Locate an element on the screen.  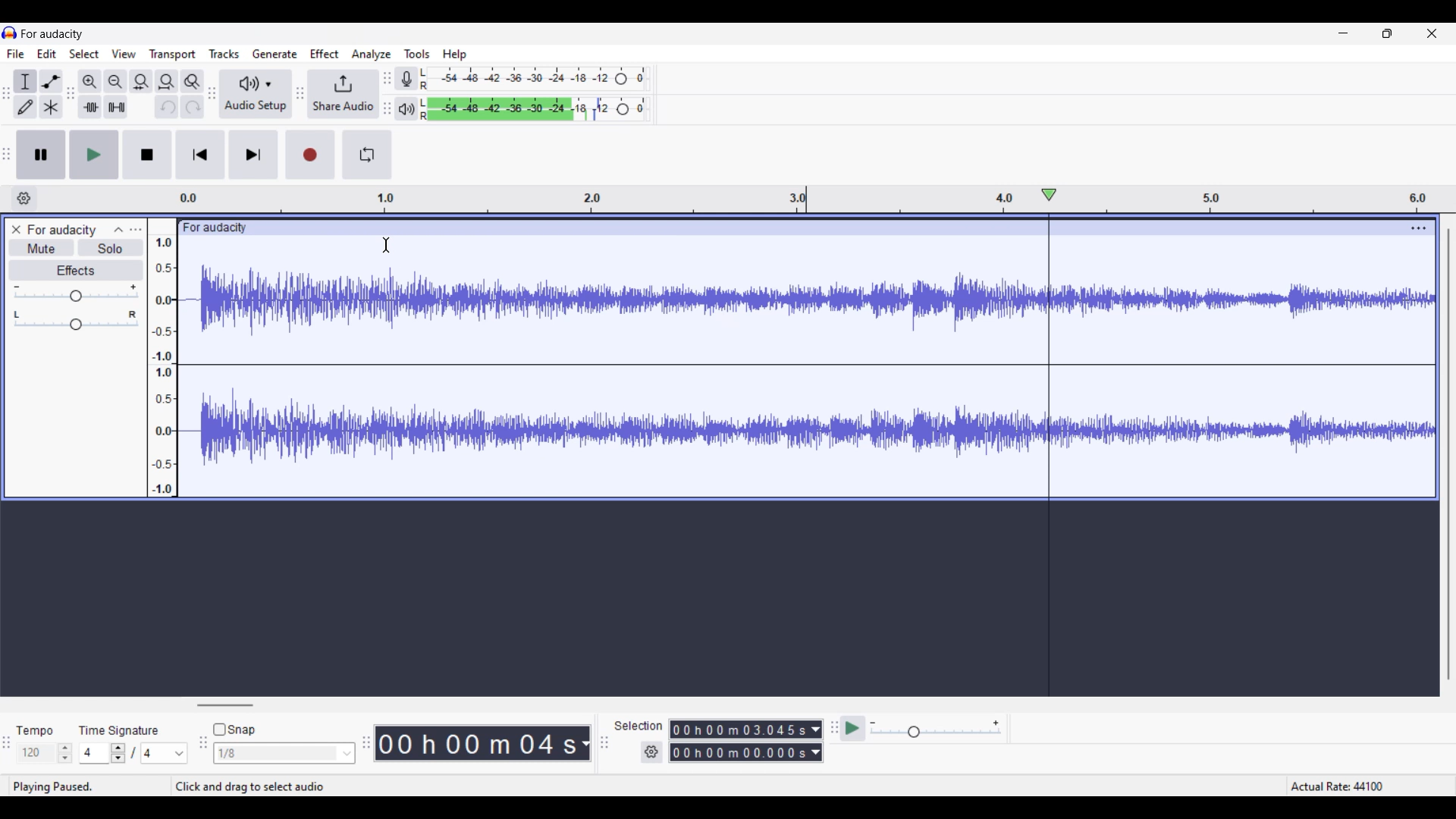
Stop is located at coordinates (148, 154).